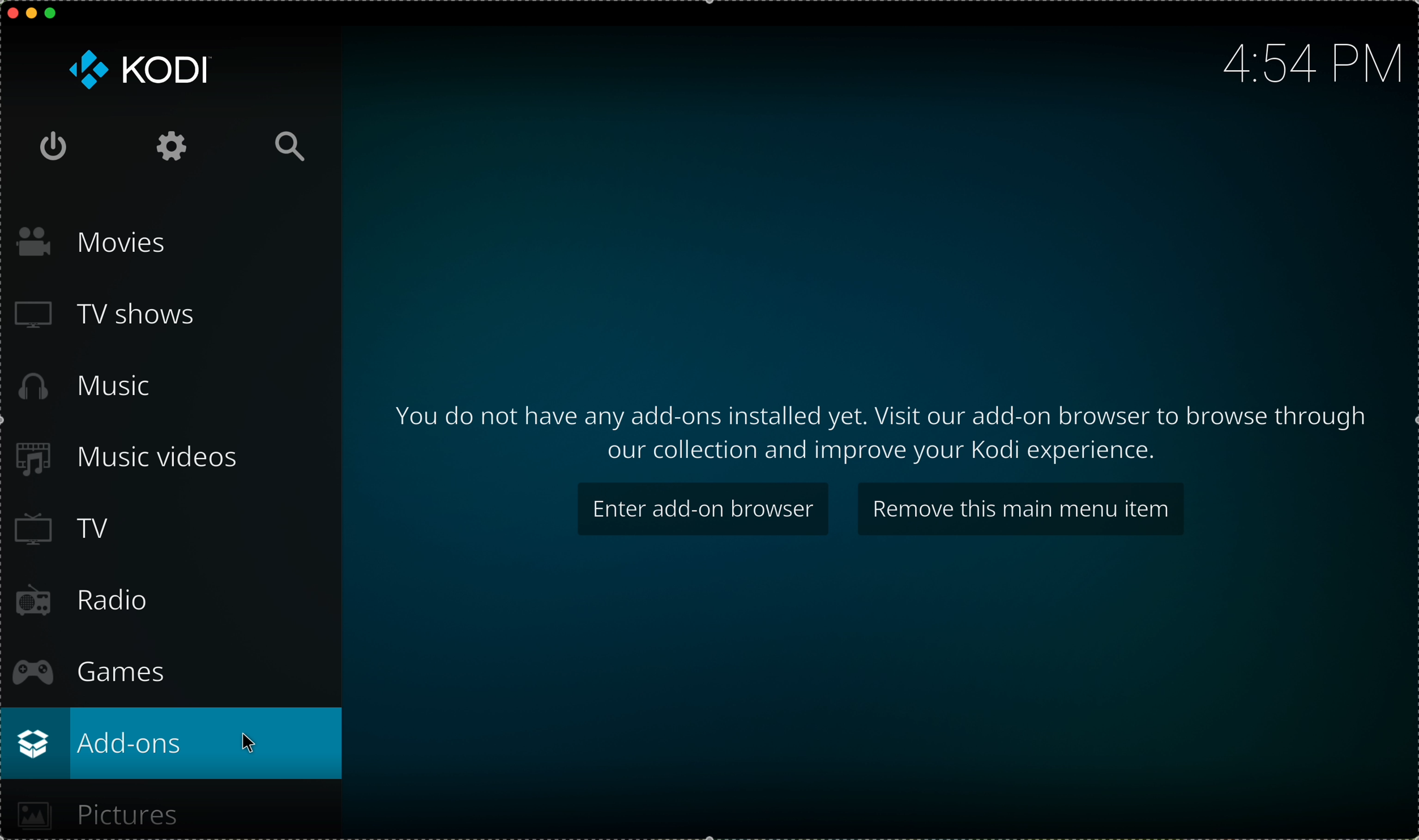 The width and height of the screenshot is (1419, 840). I want to click on pictures, so click(96, 816).